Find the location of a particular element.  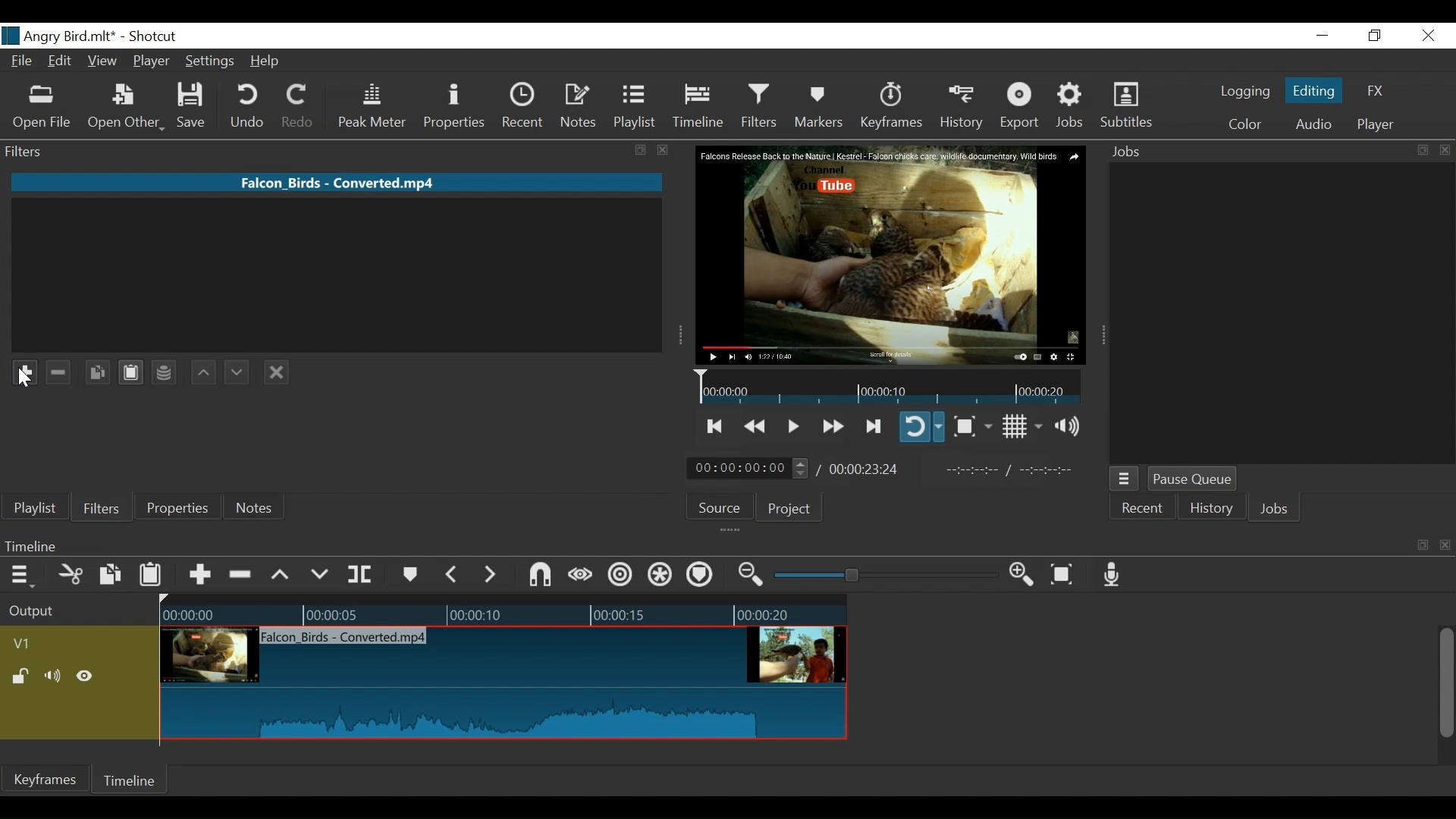

Editing is located at coordinates (1316, 89).